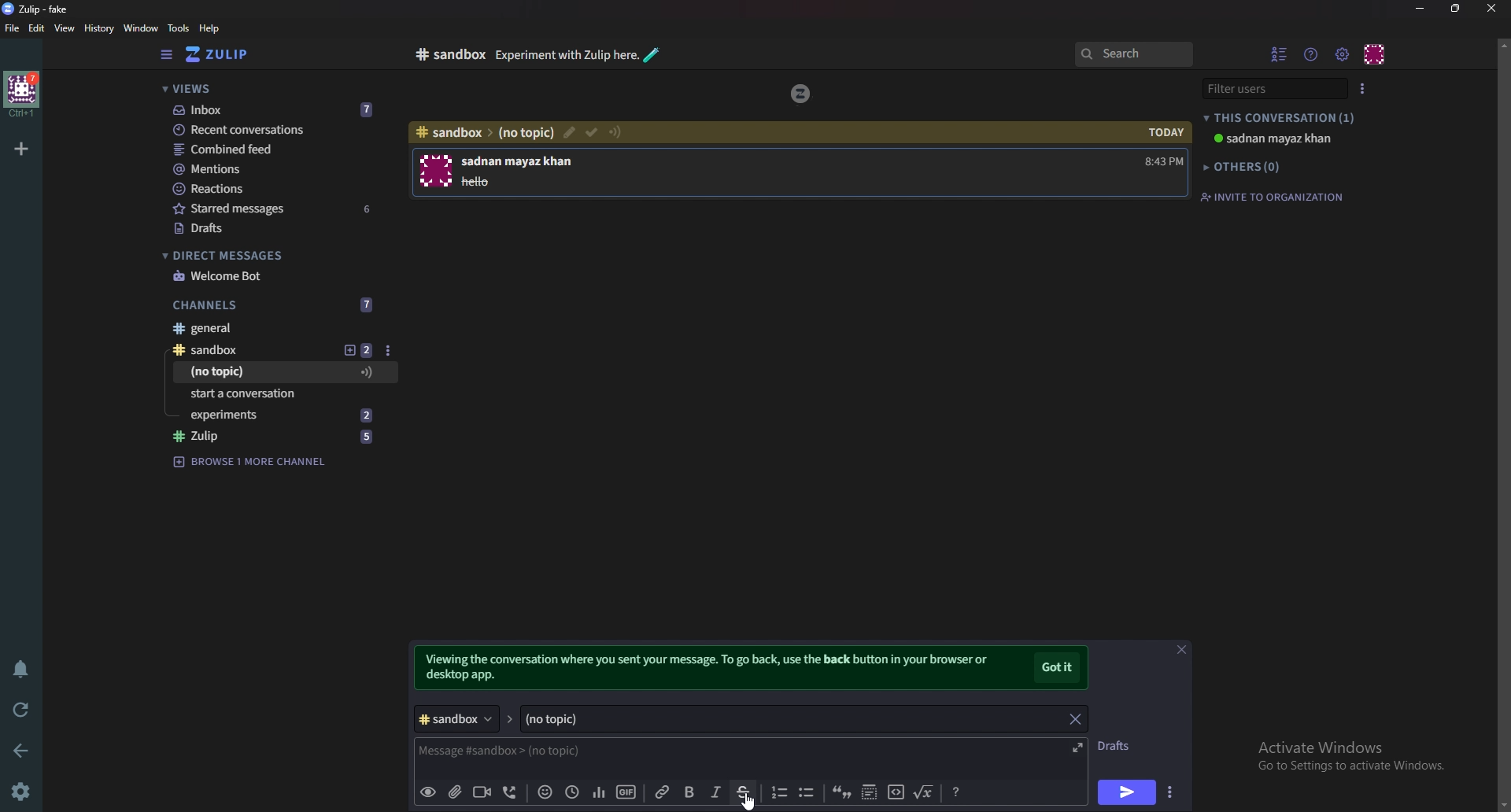 The height and width of the screenshot is (812, 1511). I want to click on Help menu, so click(1313, 54).